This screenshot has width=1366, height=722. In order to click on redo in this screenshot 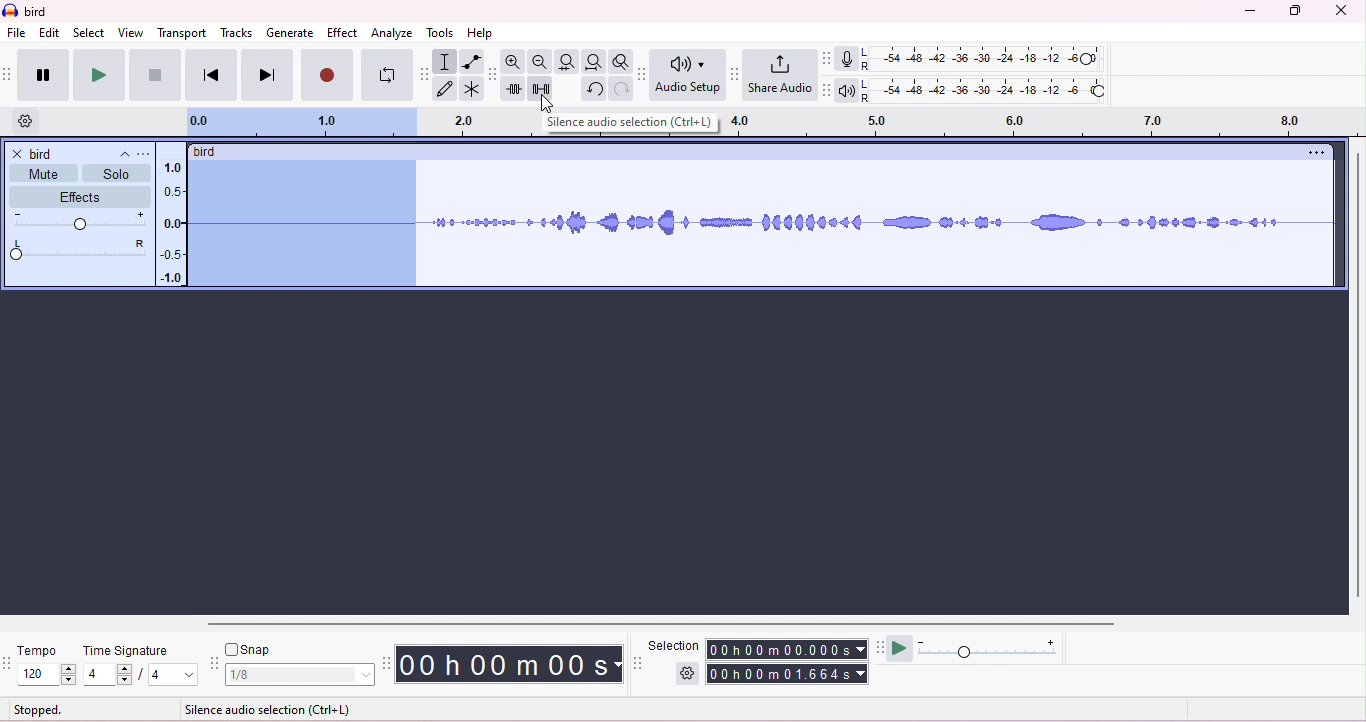, I will do `click(624, 90)`.